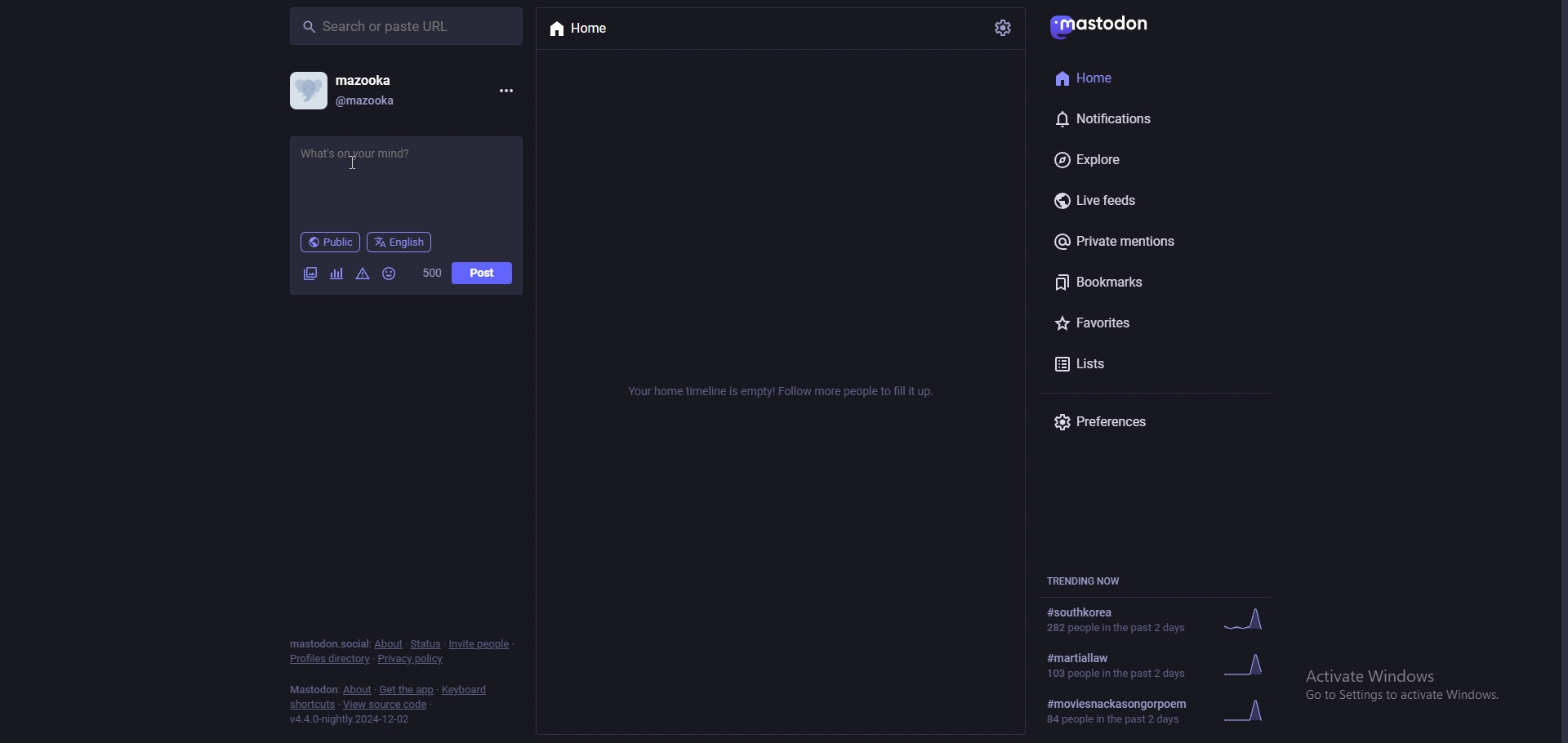 This screenshot has width=1568, height=743. What do you see at coordinates (1132, 421) in the screenshot?
I see `preferences` at bounding box center [1132, 421].